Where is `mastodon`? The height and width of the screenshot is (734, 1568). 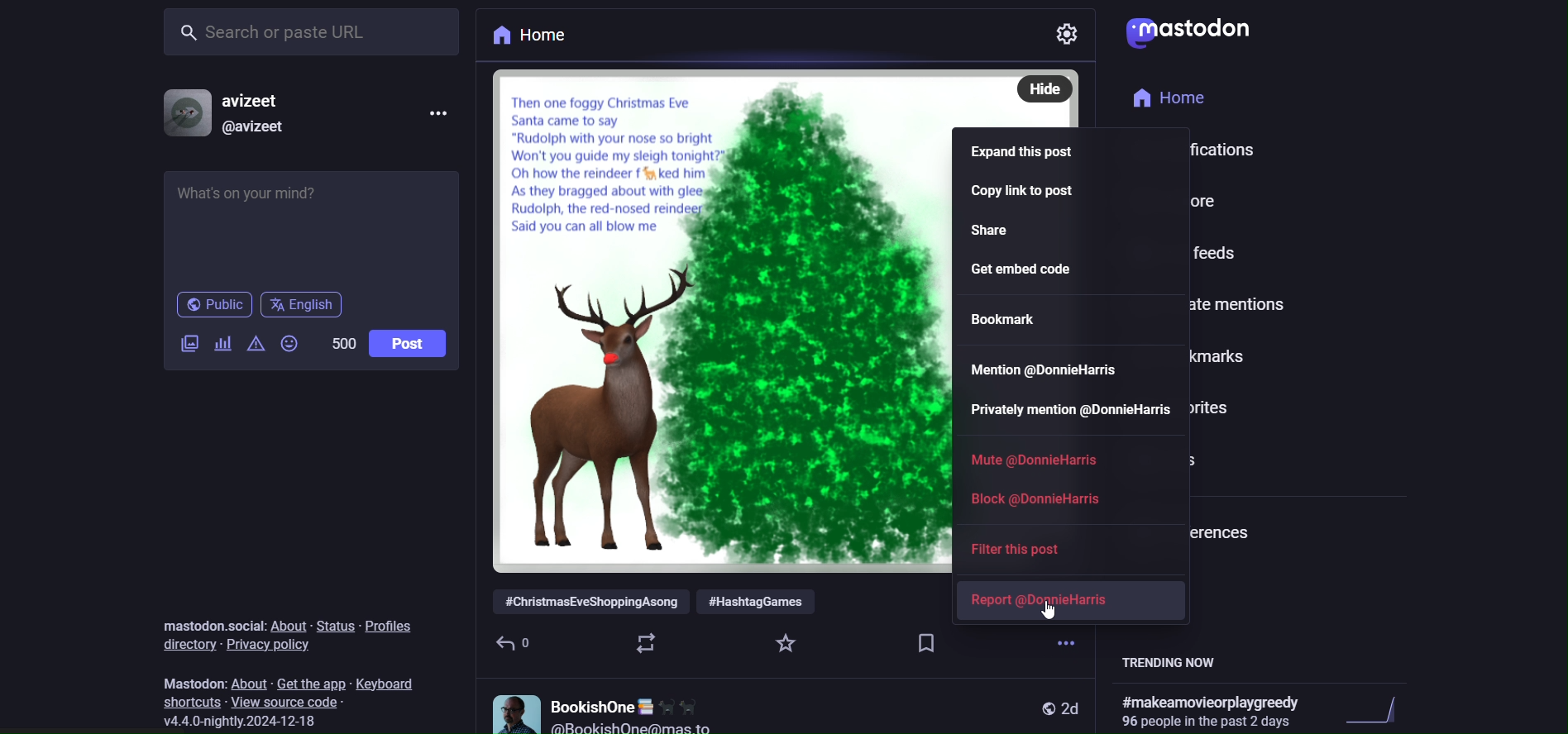
mastodon is located at coordinates (189, 679).